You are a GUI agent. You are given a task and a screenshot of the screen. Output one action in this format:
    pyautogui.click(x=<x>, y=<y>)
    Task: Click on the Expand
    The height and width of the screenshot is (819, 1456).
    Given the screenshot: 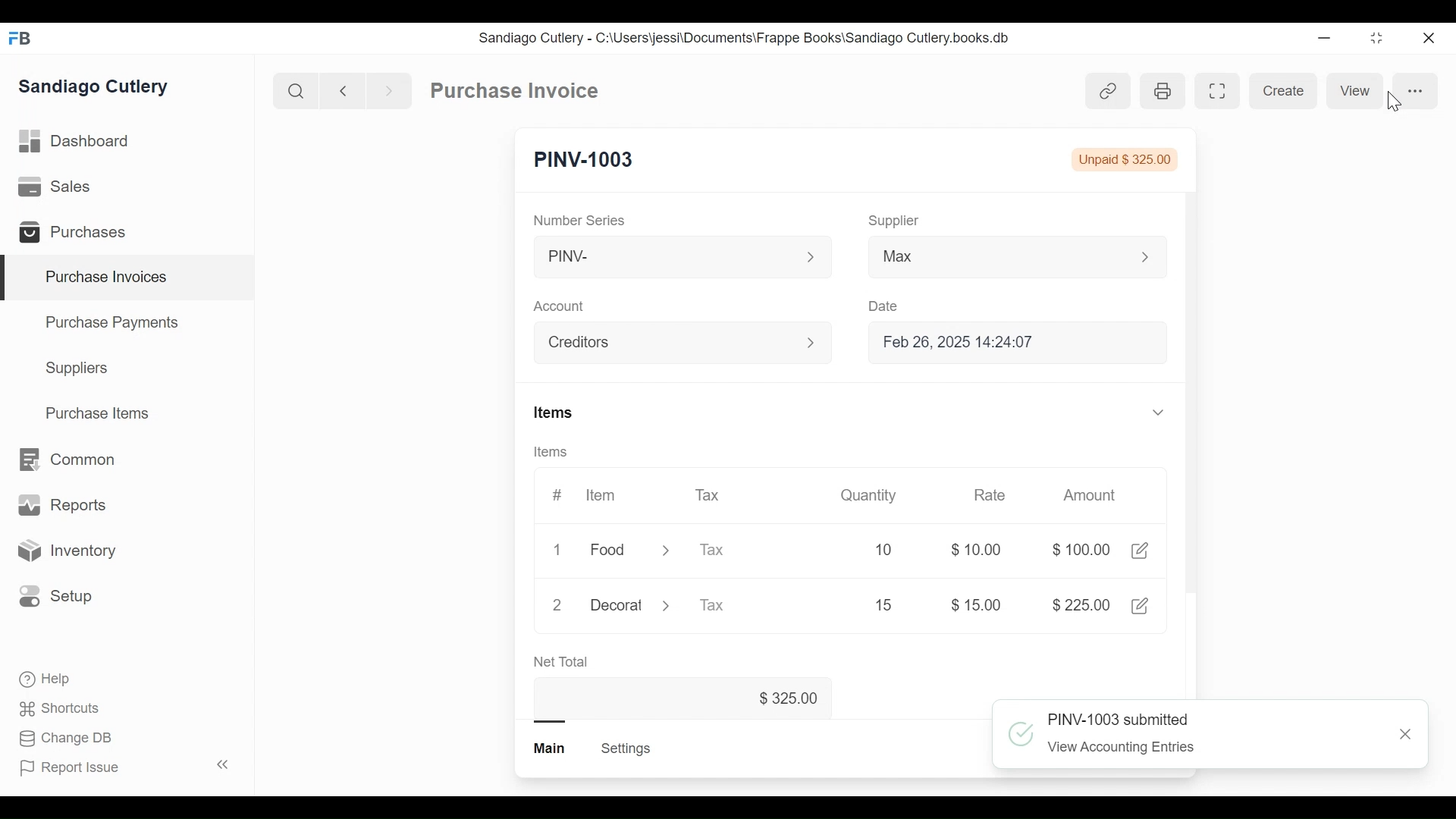 What is the action you would take?
    pyautogui.click(x=811, y=258)
    